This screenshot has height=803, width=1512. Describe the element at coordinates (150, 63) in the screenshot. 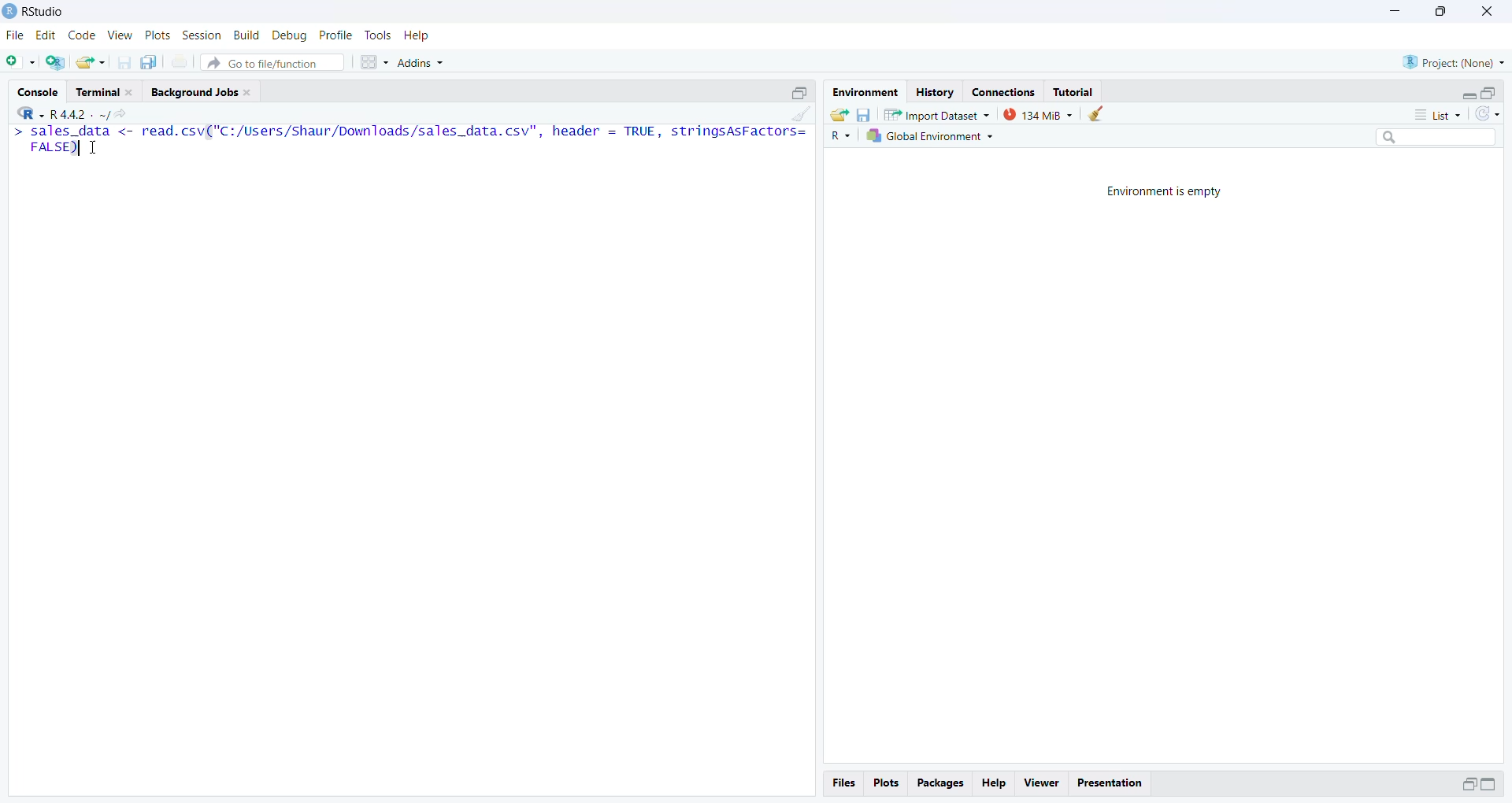

I see `Save all open documents (CTRL + ALT + S)` at that location.